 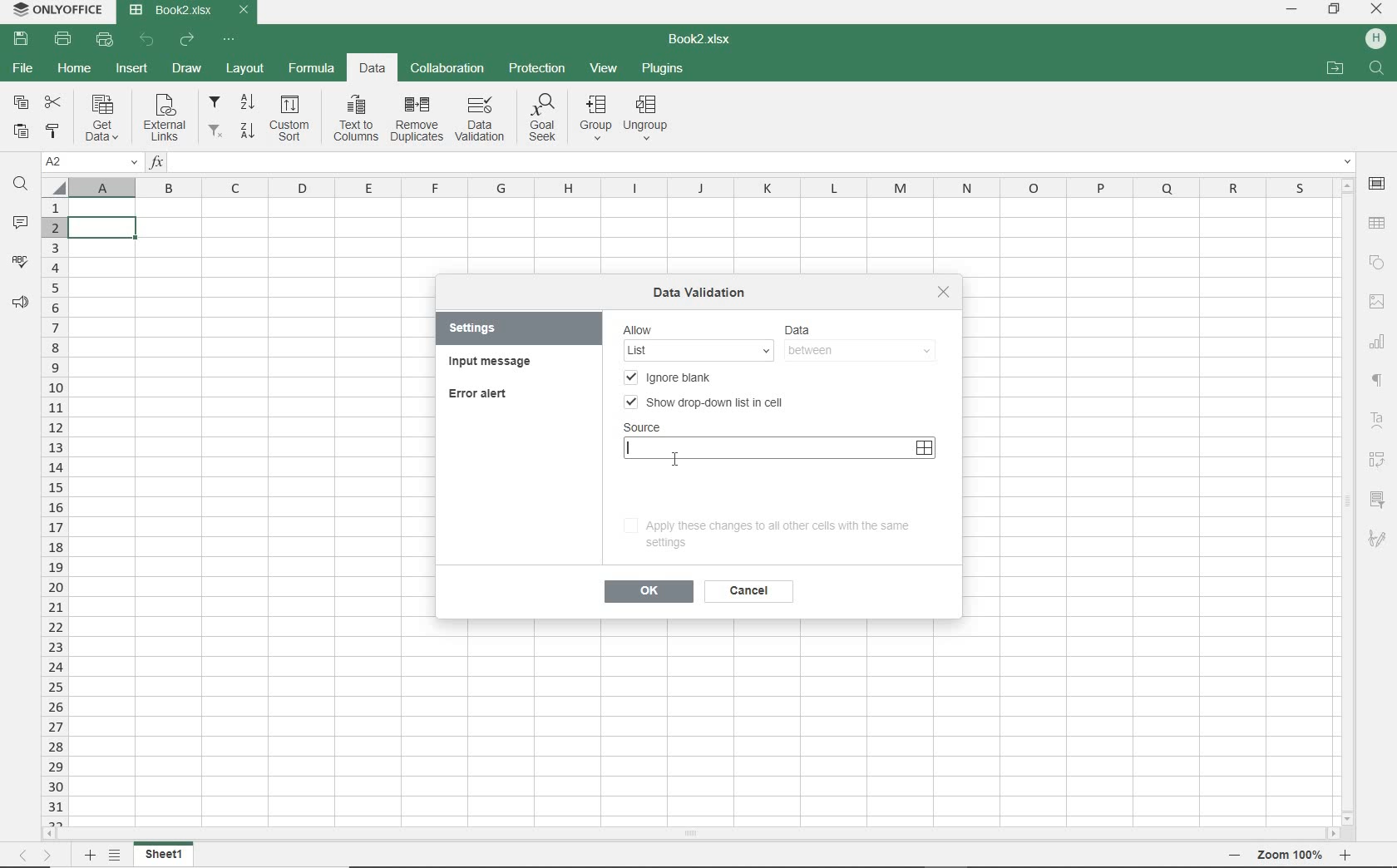 I want to click on external links, so click(x=167, y=121).